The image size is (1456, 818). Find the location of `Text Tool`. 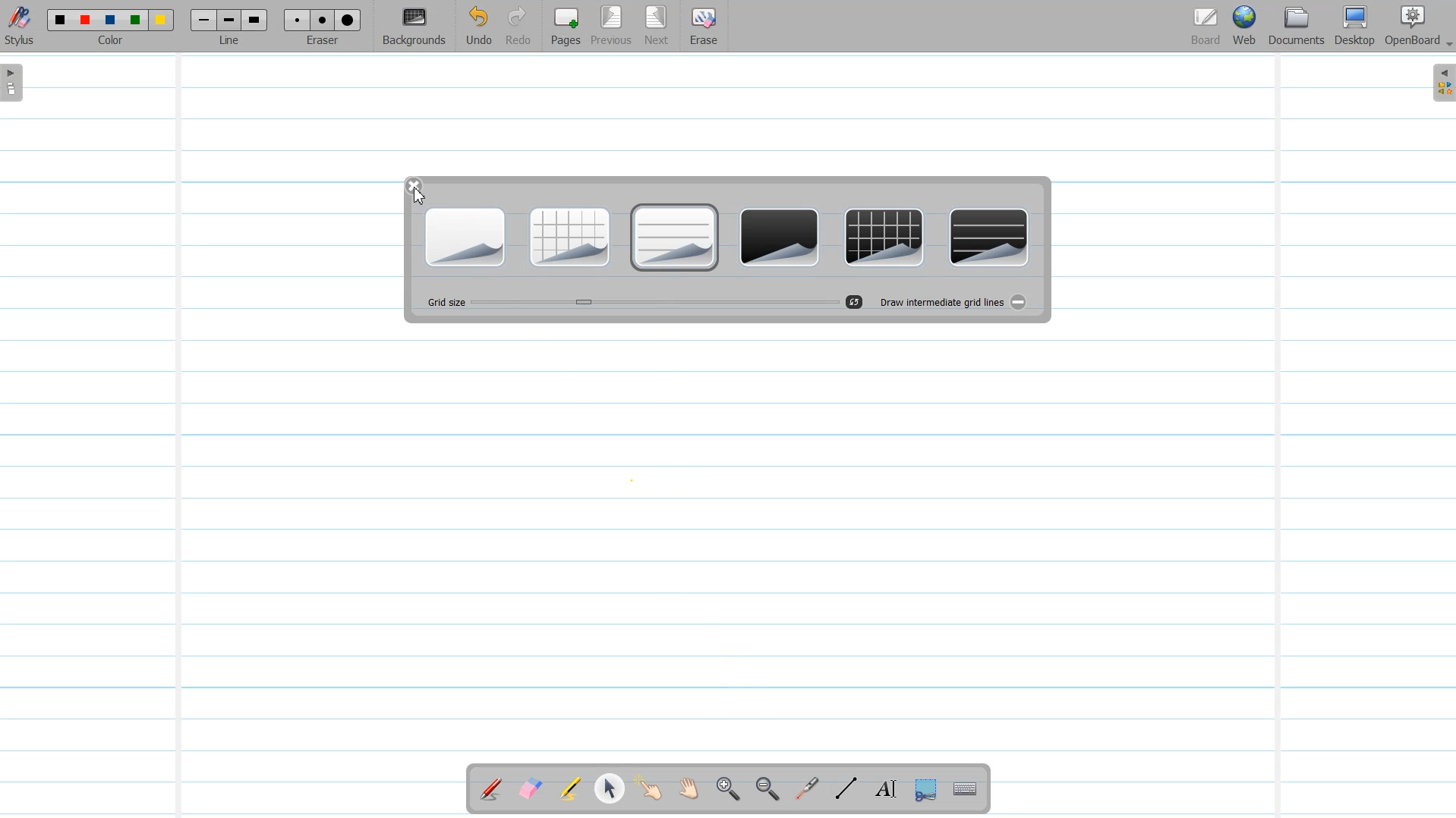

Text Tool is located at coordinates (883, 789).